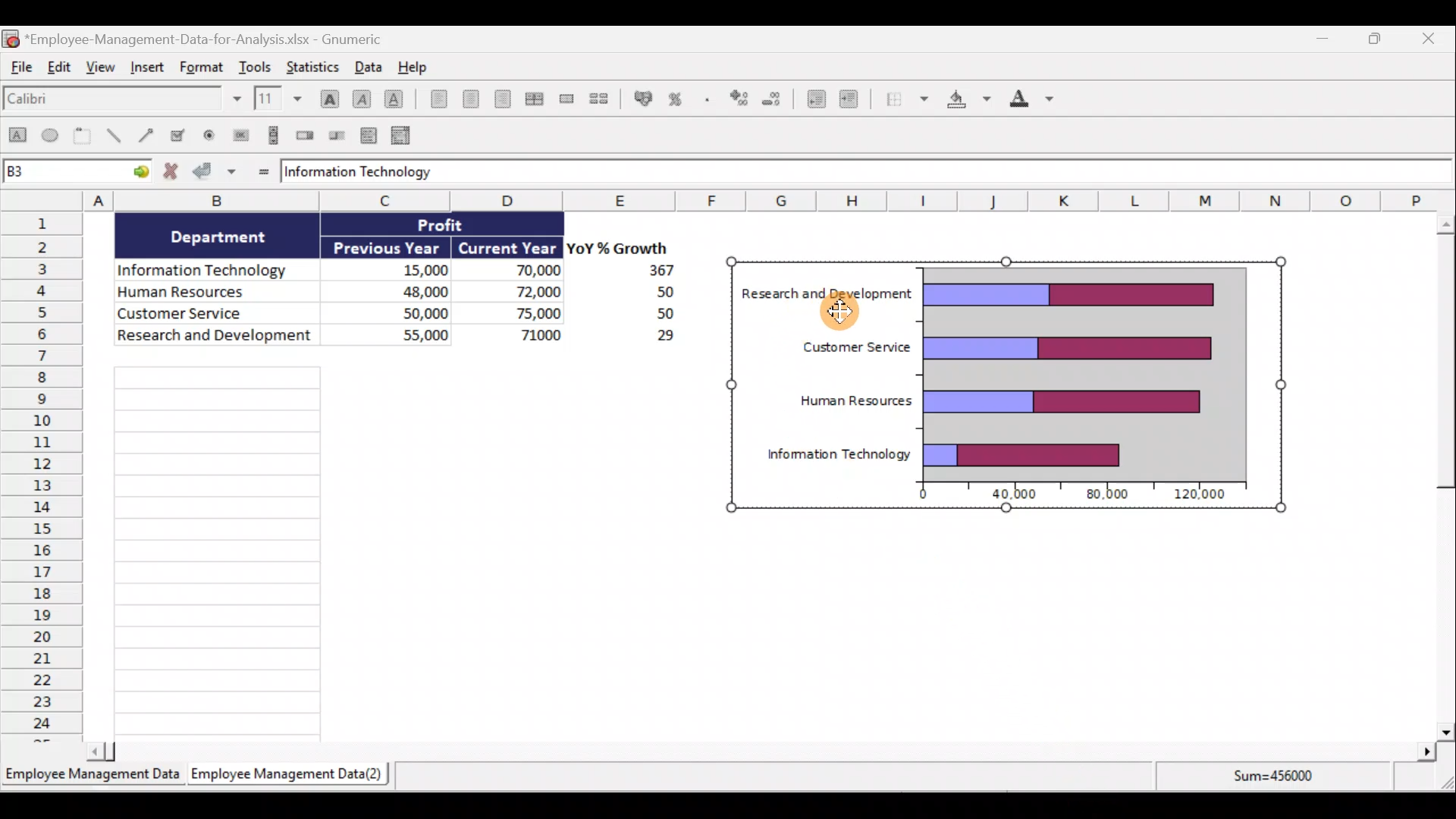  I want to click on Background, so click(970, 102).